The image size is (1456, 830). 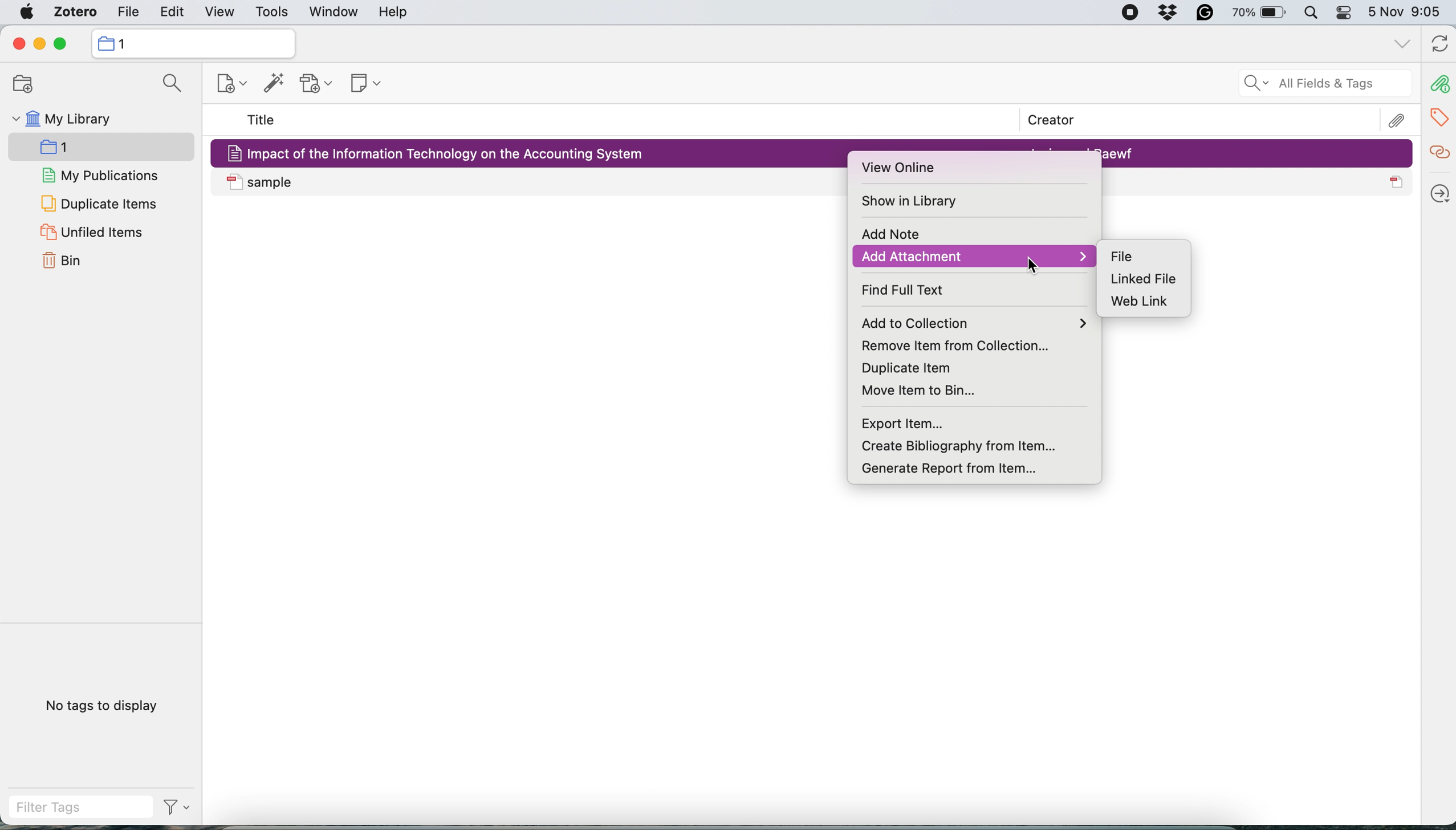 I want to click on edit, so click(x=173, y=14).